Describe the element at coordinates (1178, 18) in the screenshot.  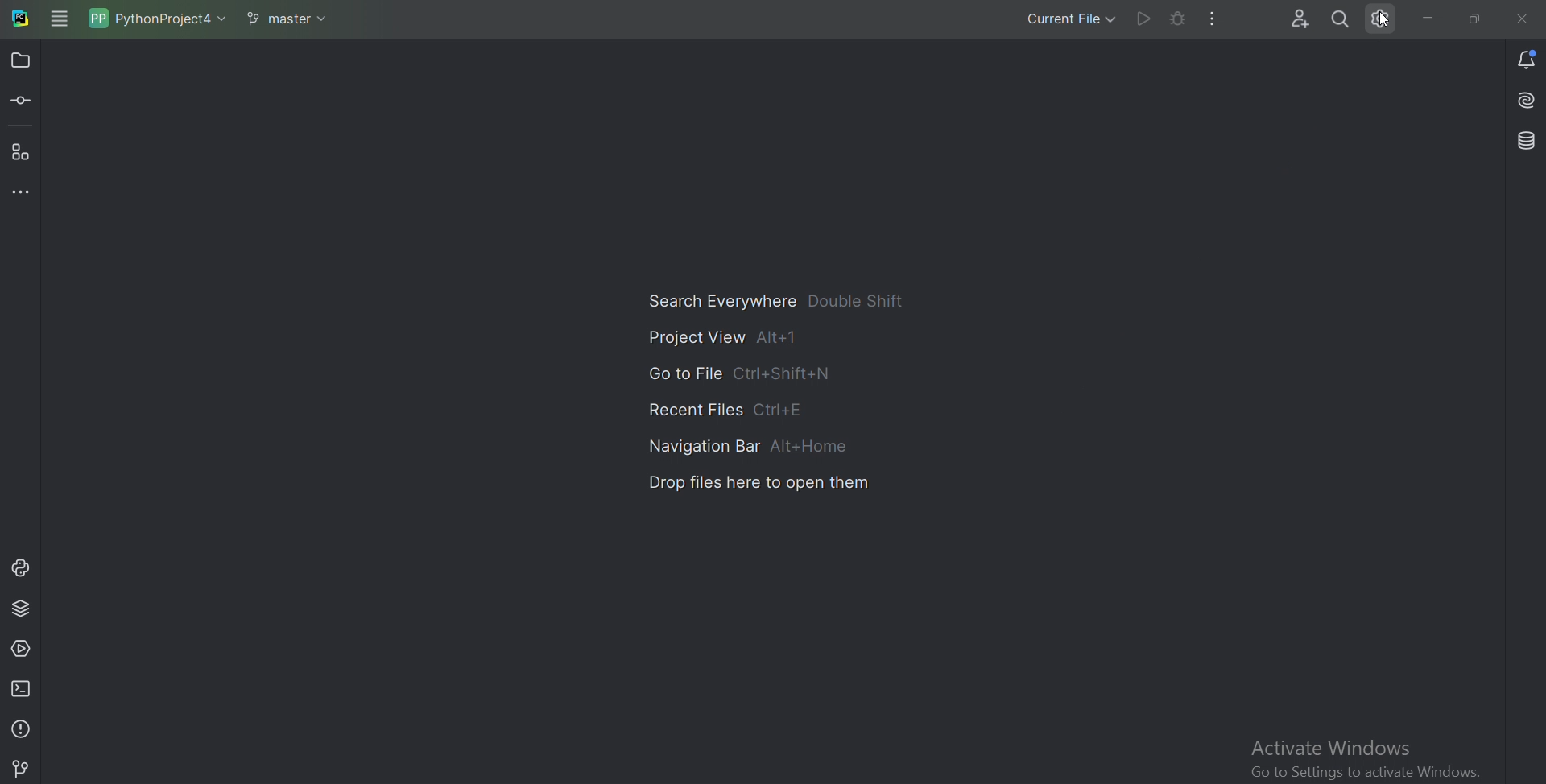
I see `Debug` at that location.